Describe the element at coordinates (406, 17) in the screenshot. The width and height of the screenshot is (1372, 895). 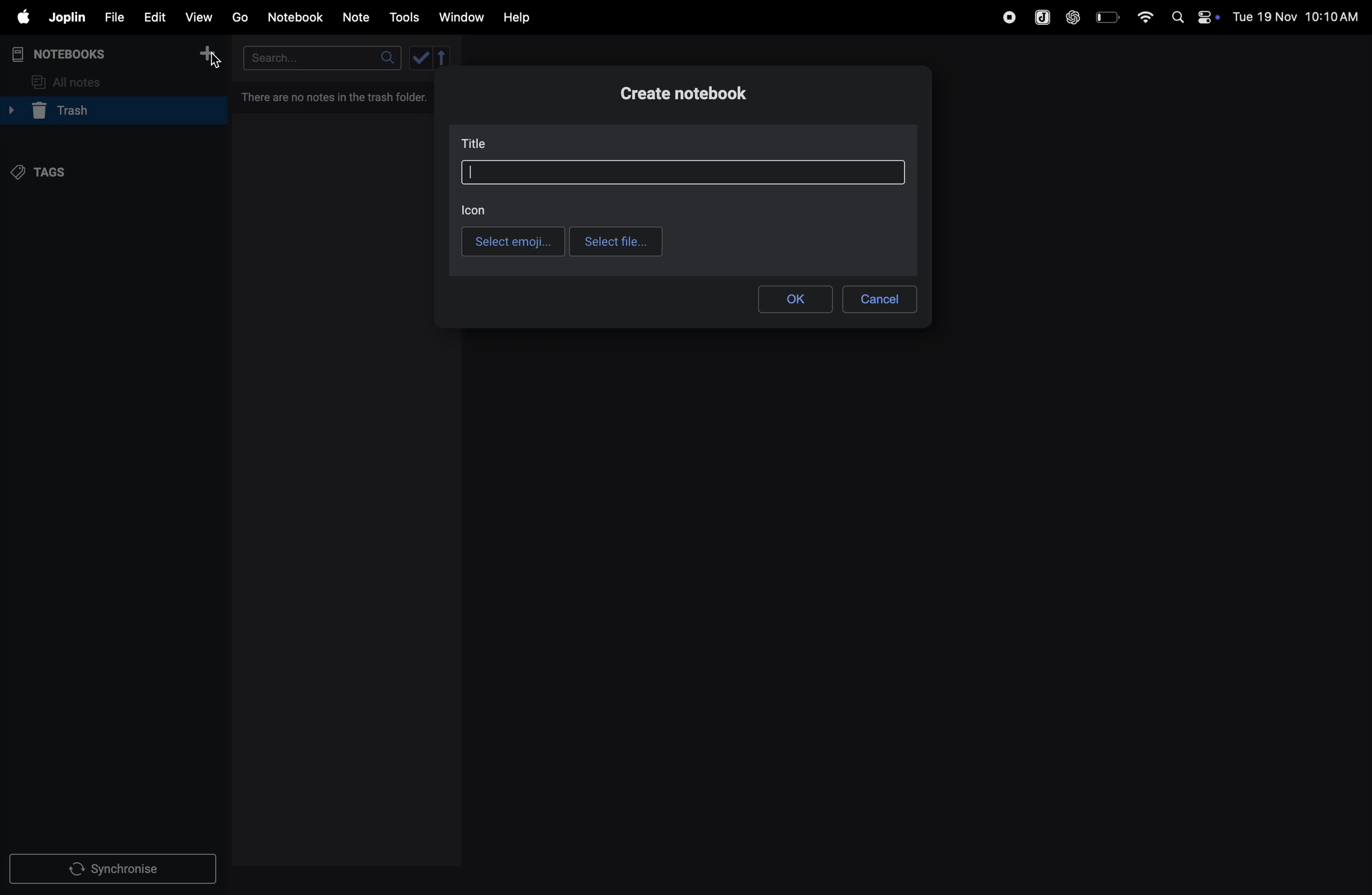
I see `tools` at that location.